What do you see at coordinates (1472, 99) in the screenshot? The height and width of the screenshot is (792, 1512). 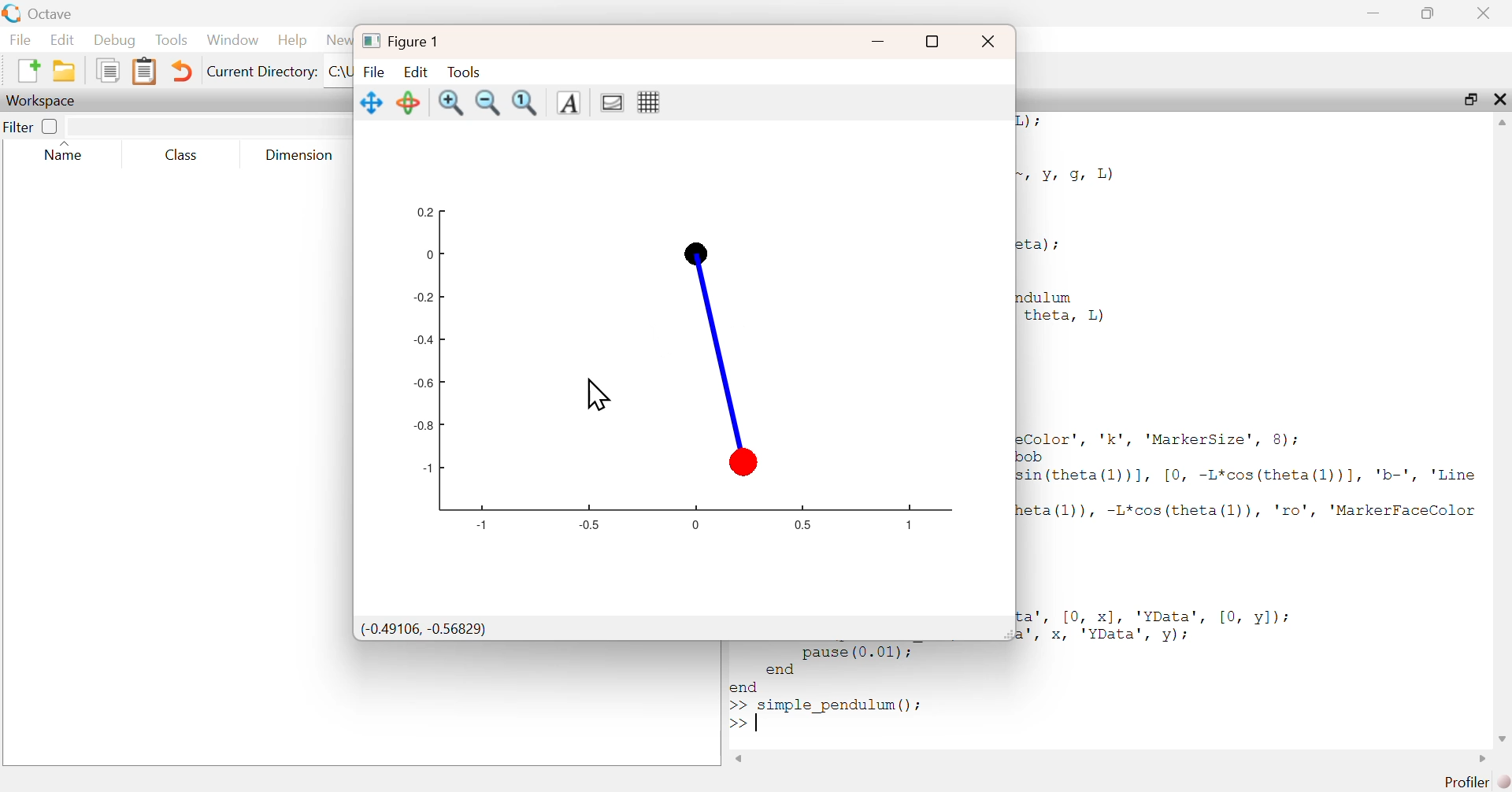 I see `Maximize` at bounding box center [1472, 99].